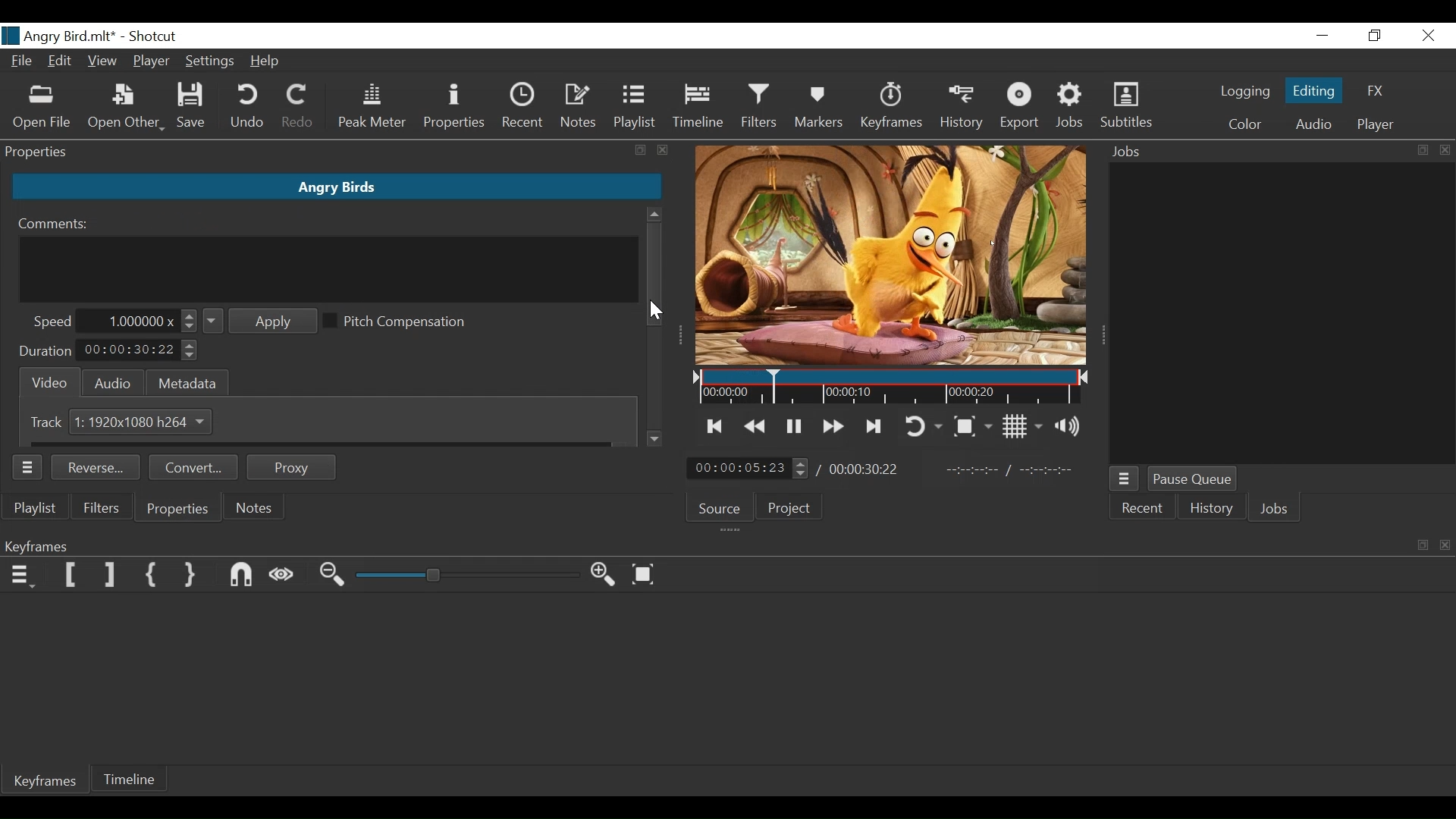 Image resolution: width=1456 pixels, height=819 pixels. I want to click on Playlist, so click(636, 108).